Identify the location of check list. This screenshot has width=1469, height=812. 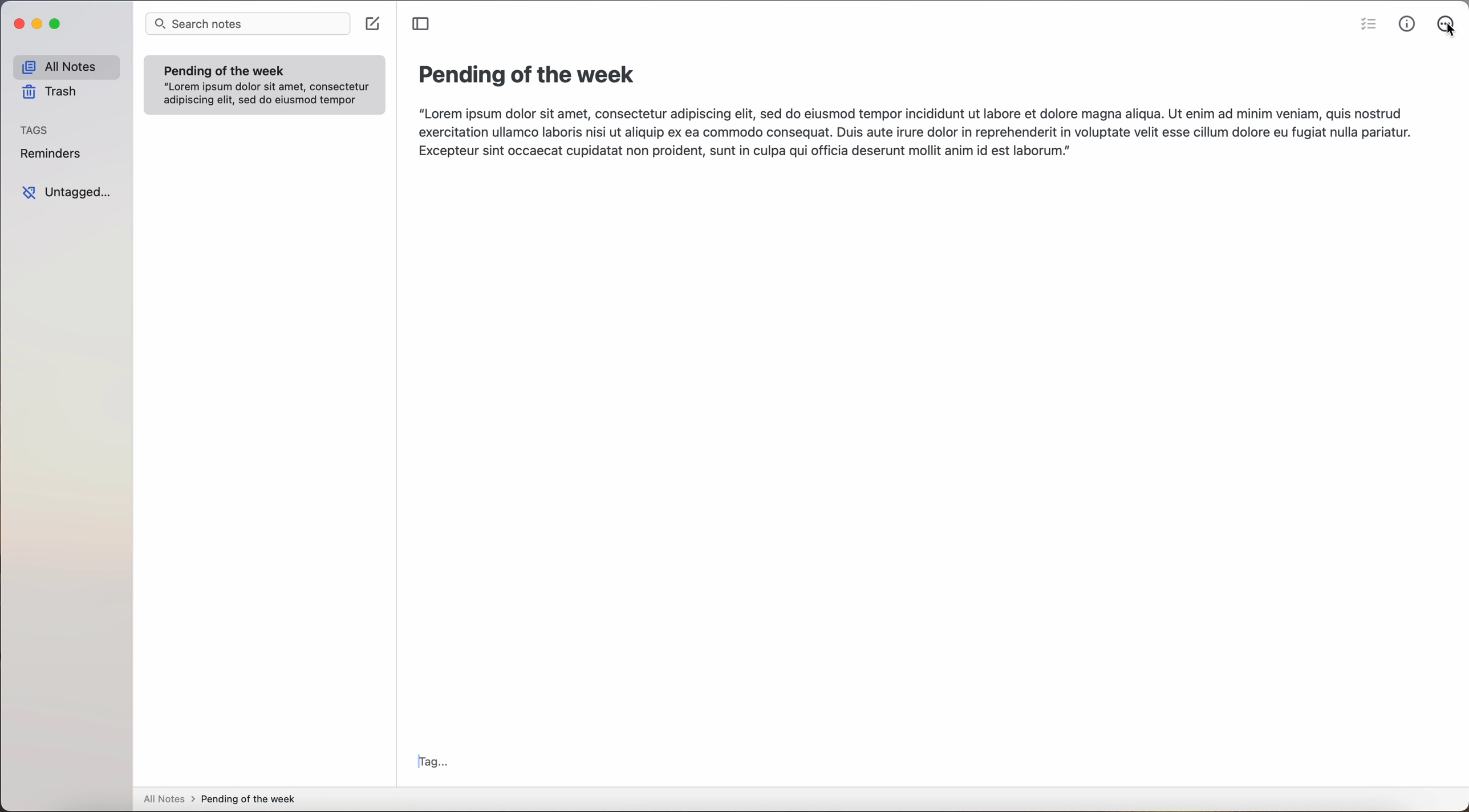
(1368, 25).